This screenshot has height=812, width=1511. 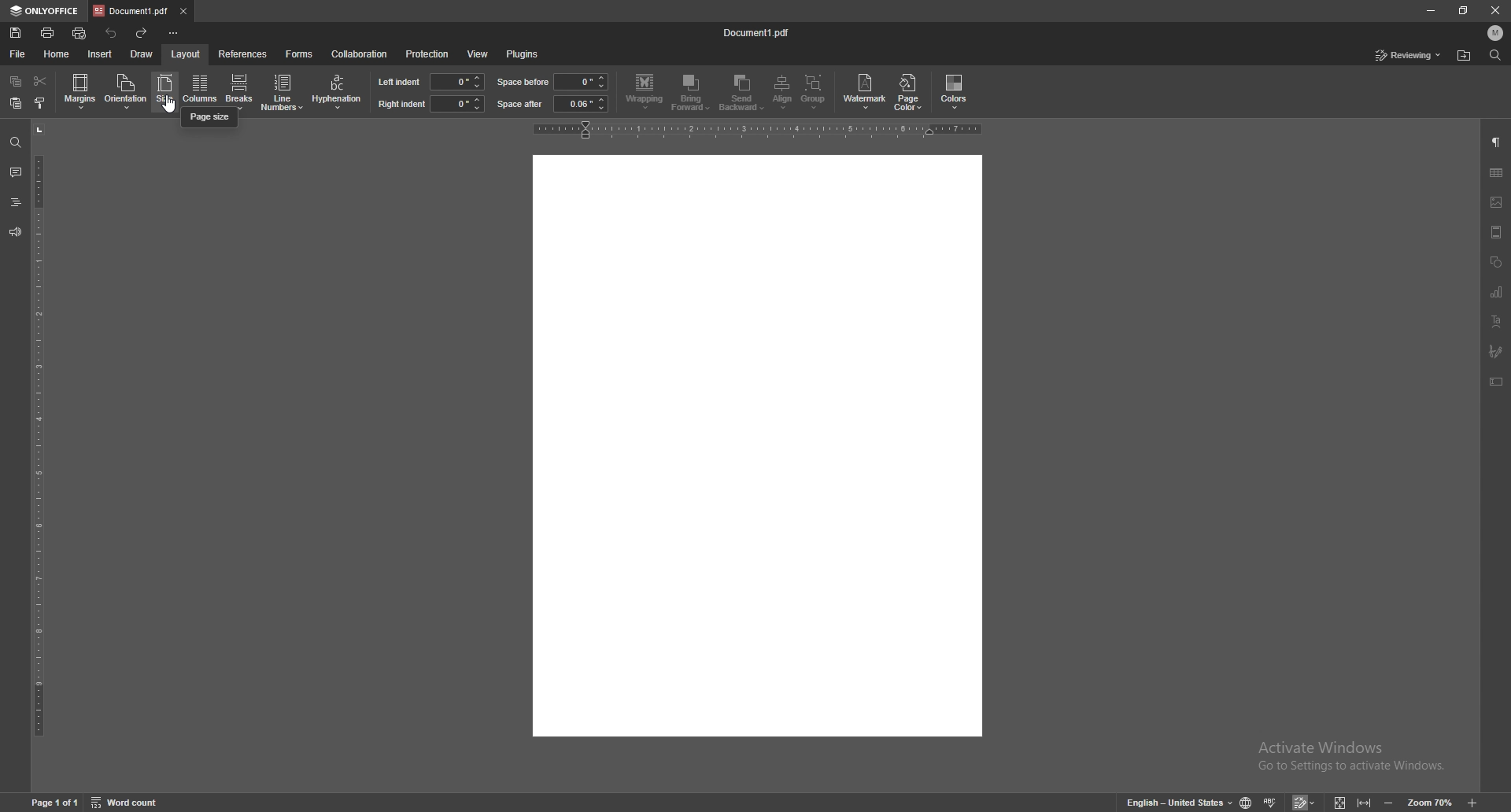 I want to click on size, so click(x=165, y=91).